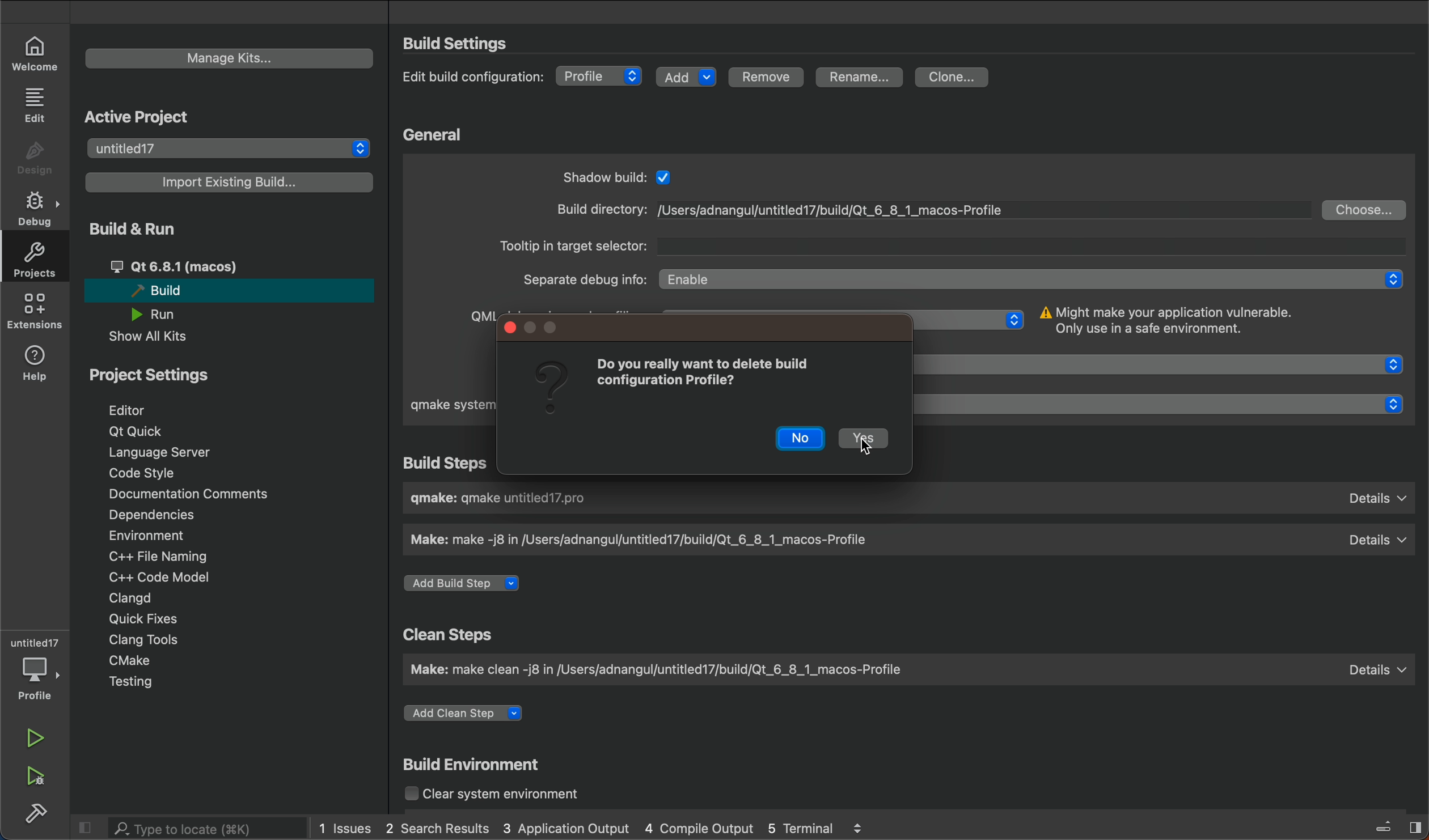  What do you see at coordinates (144, 685) in the screenshot?
I see `testing` at bounding box center [144, 685].